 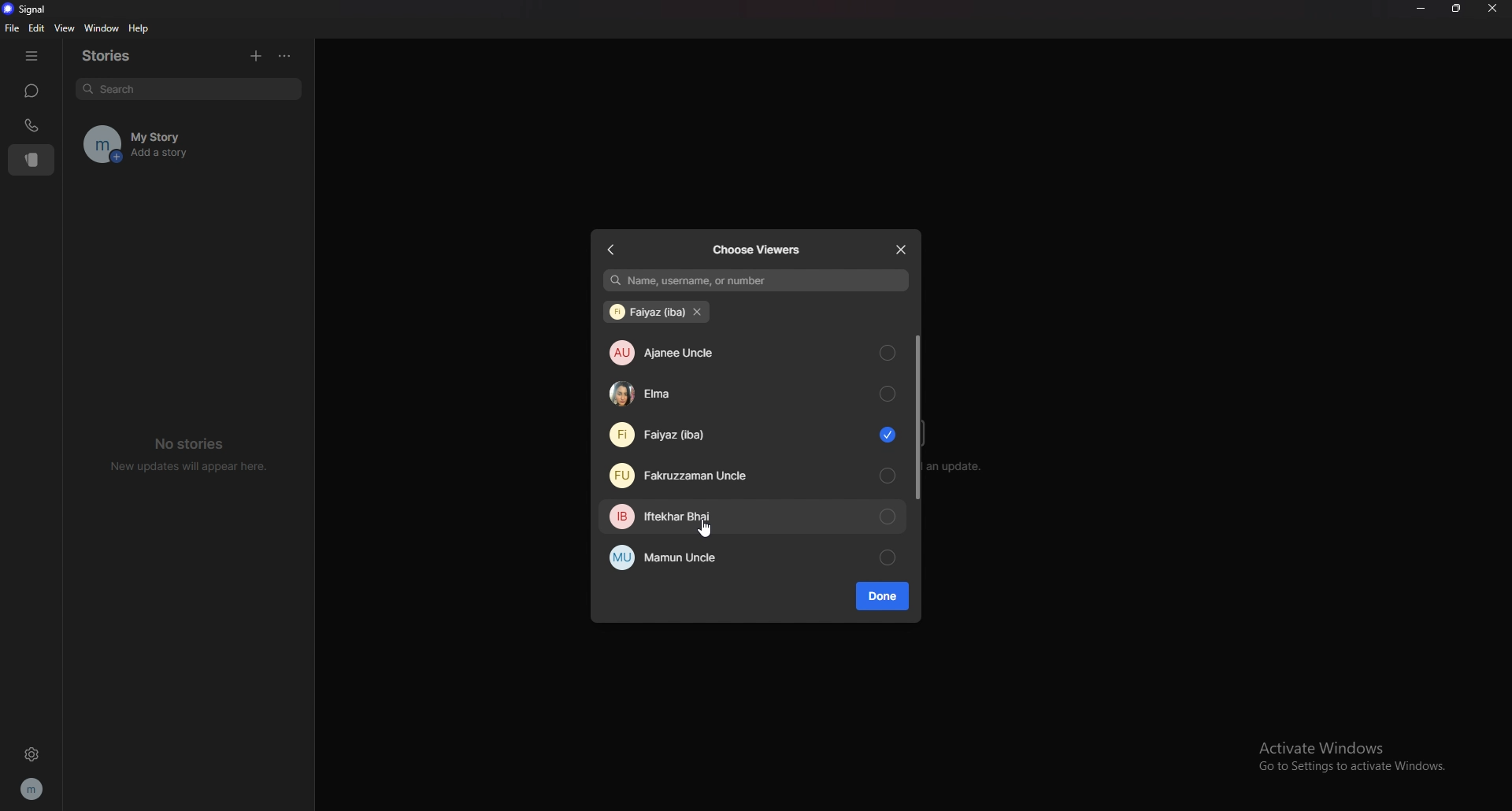 I want to click on add story, so click(x=252, y=54).